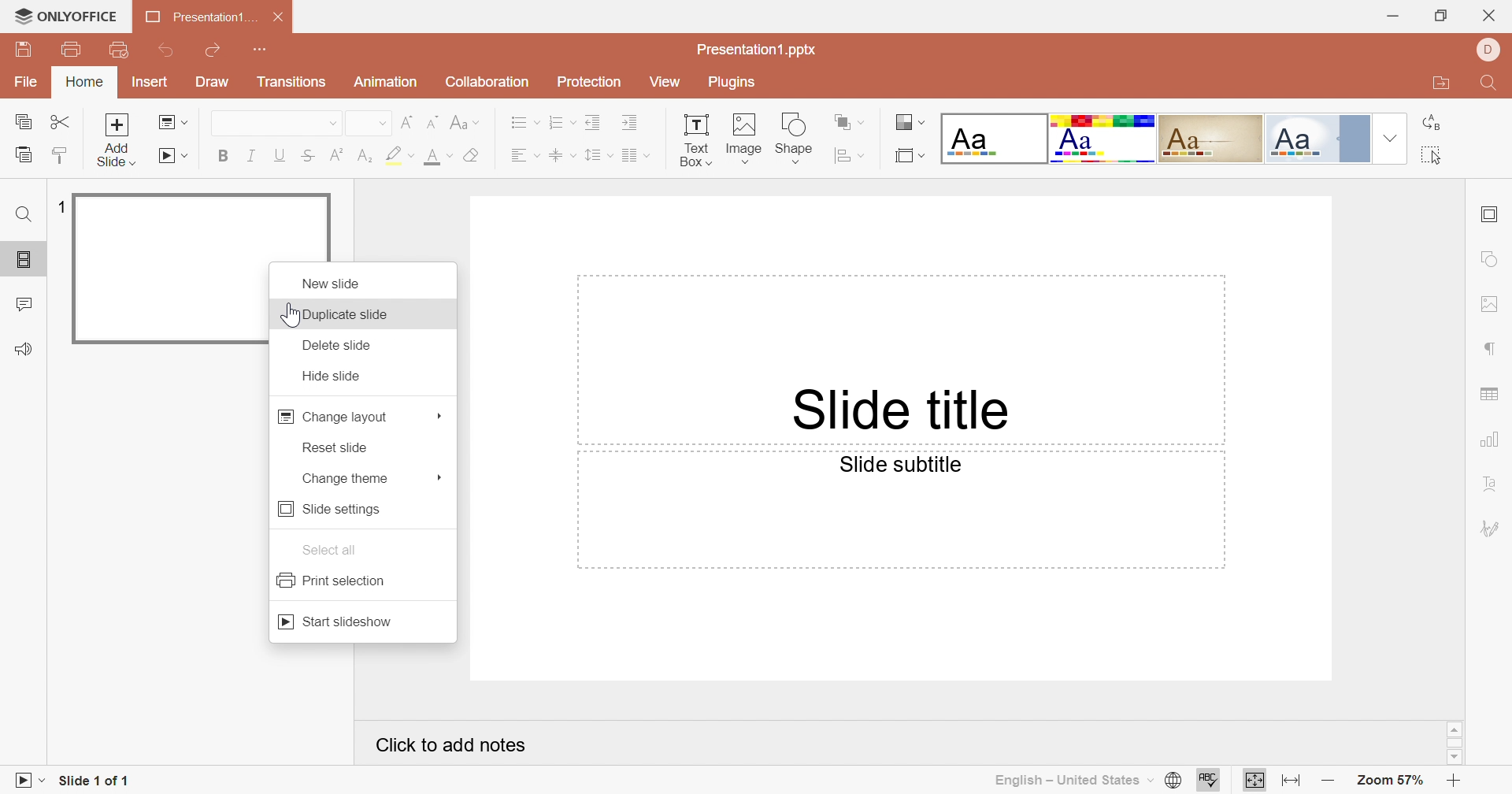  What do you see at coordinates (64, 119) in the screenshot?
I see `Cut` at bounding box center [64, 119].